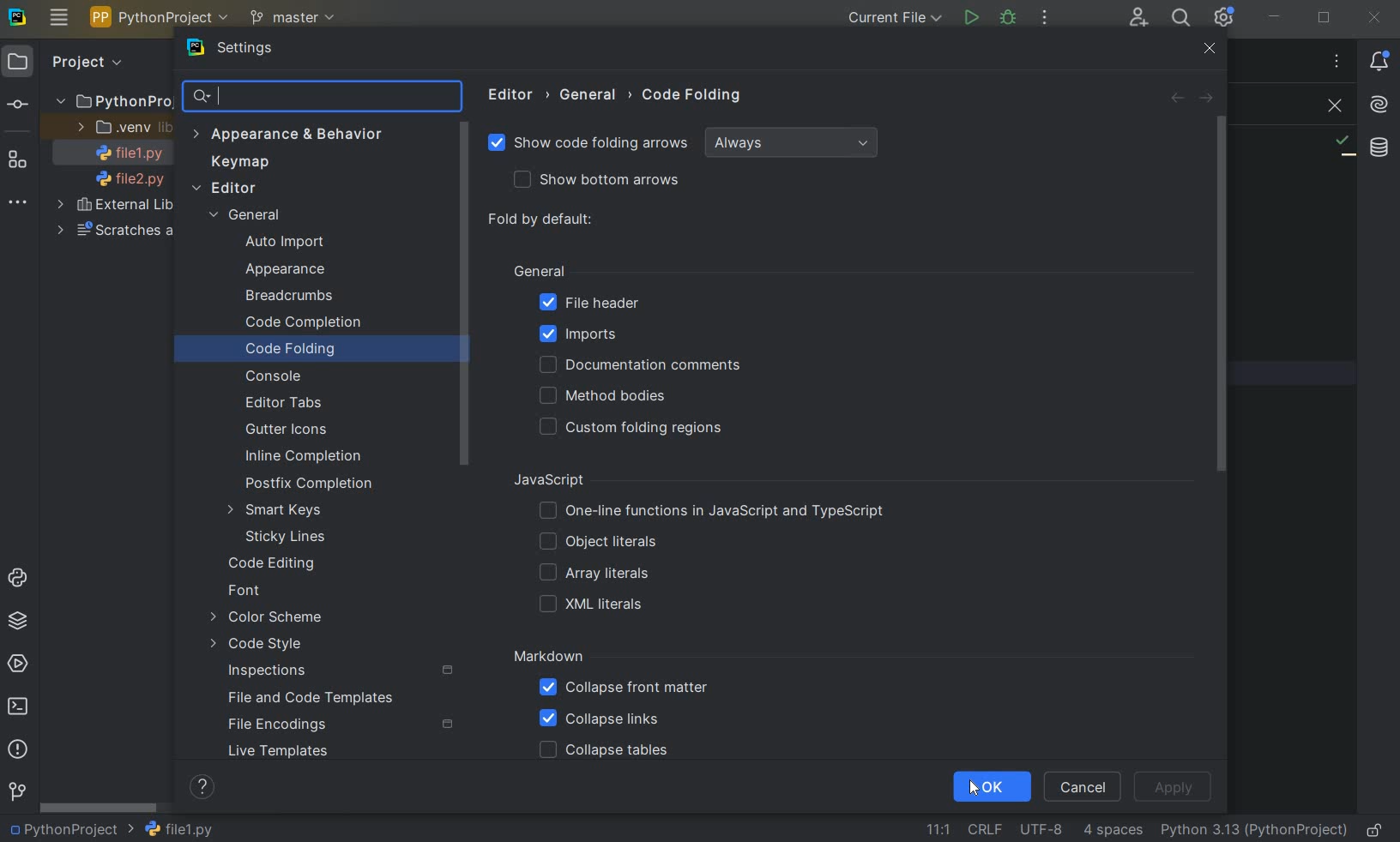  What do you see at coordinates (1112, 831) in the screenshot?
I see `INDENT` at bounding box center [1112, 831].